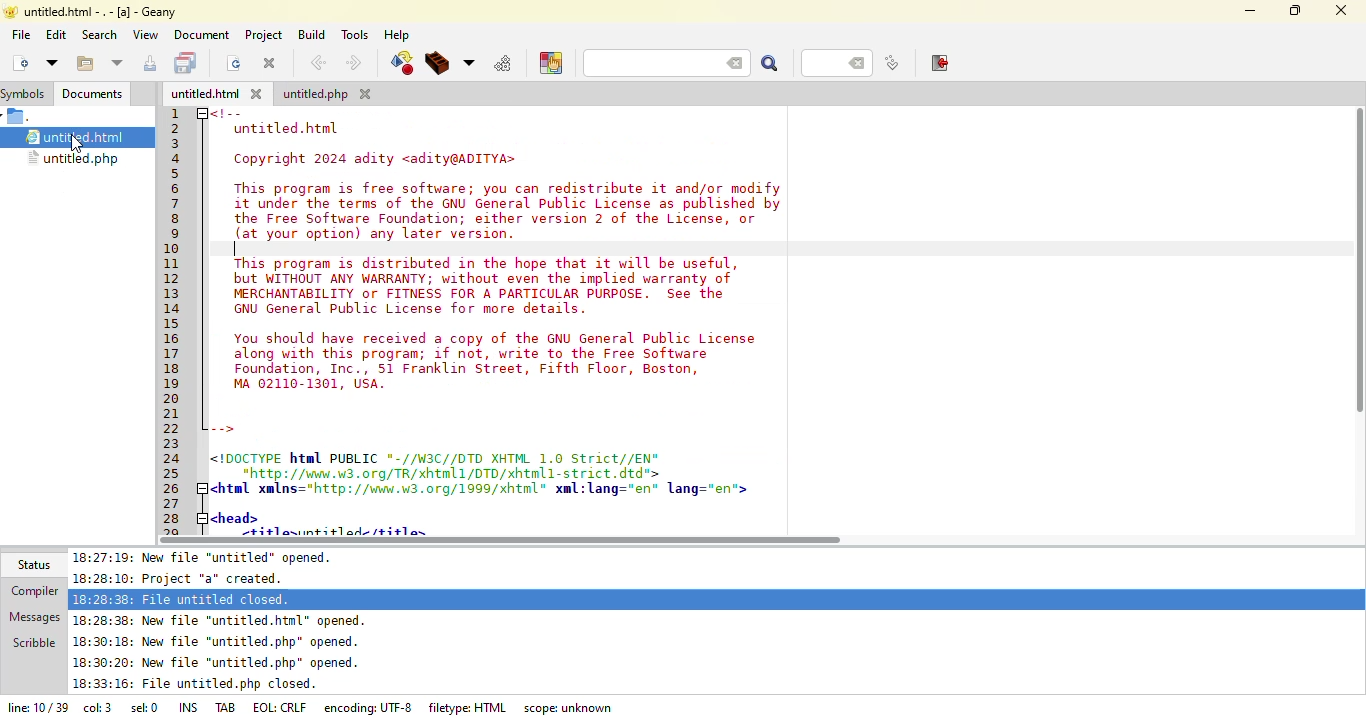  What do you see at coordinates (551, 64) in the screenshot?
I see `open a color chooser` at bounding box center [551, 64].